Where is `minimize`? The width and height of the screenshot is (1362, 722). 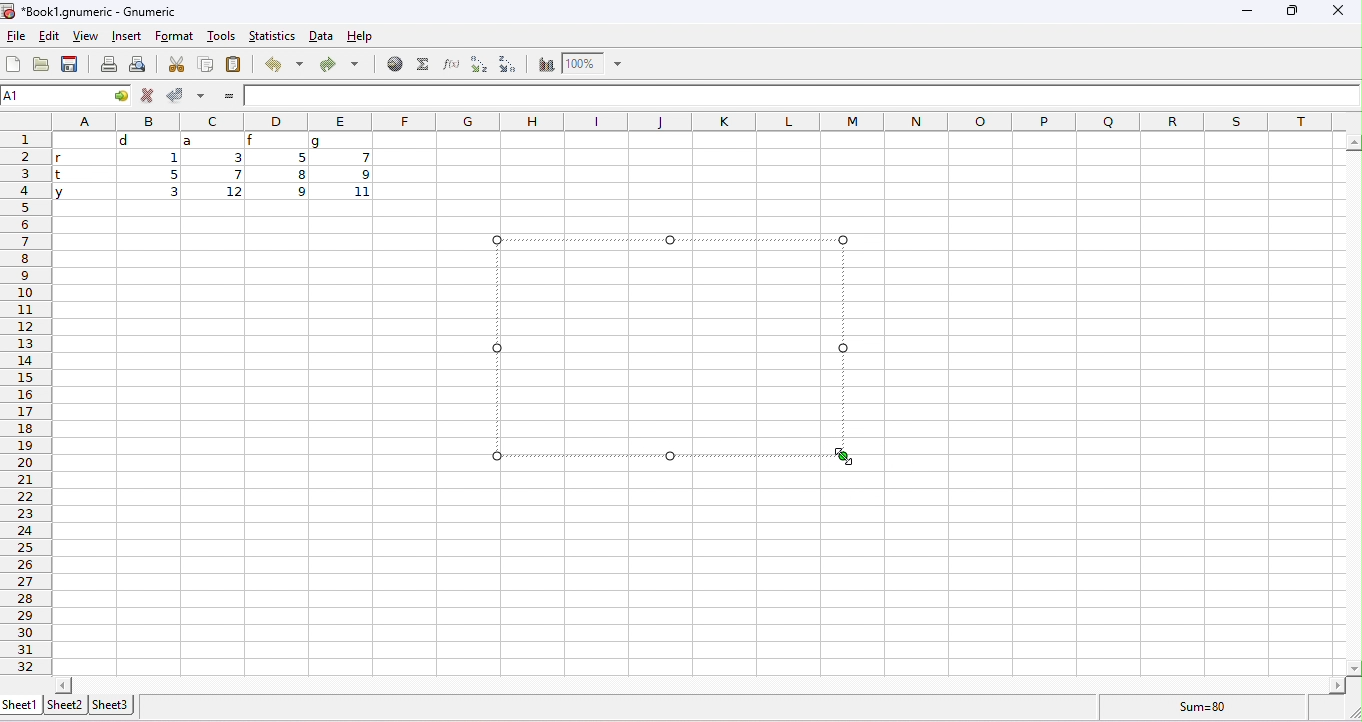 minimize is located at coordinates (1247, 14).